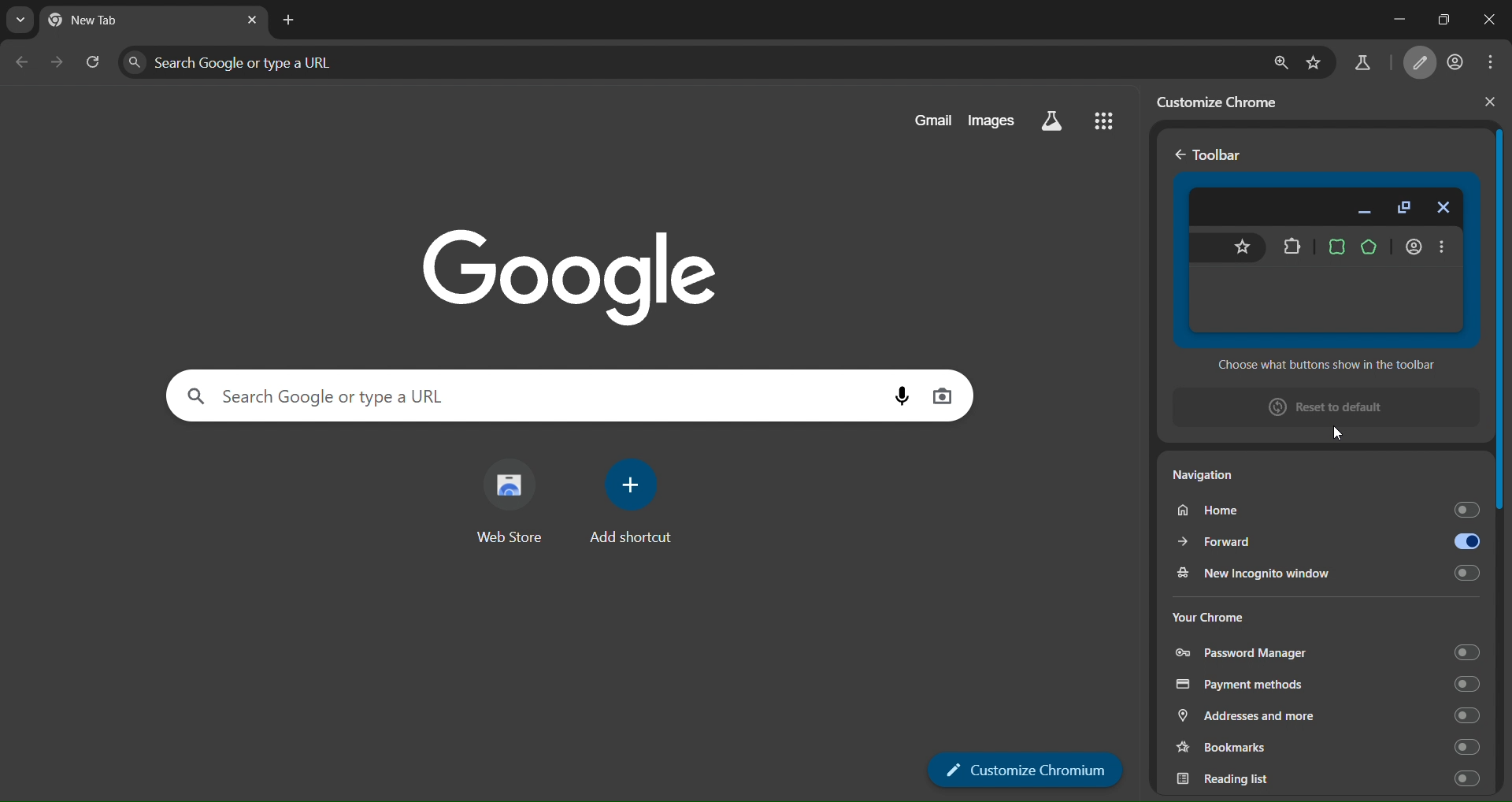 This screenshot has width=1512, height=802. What do you see at coordinates (631, 502) in the screenshot?
I see `add shortcut` at bounding box center [631, 502].